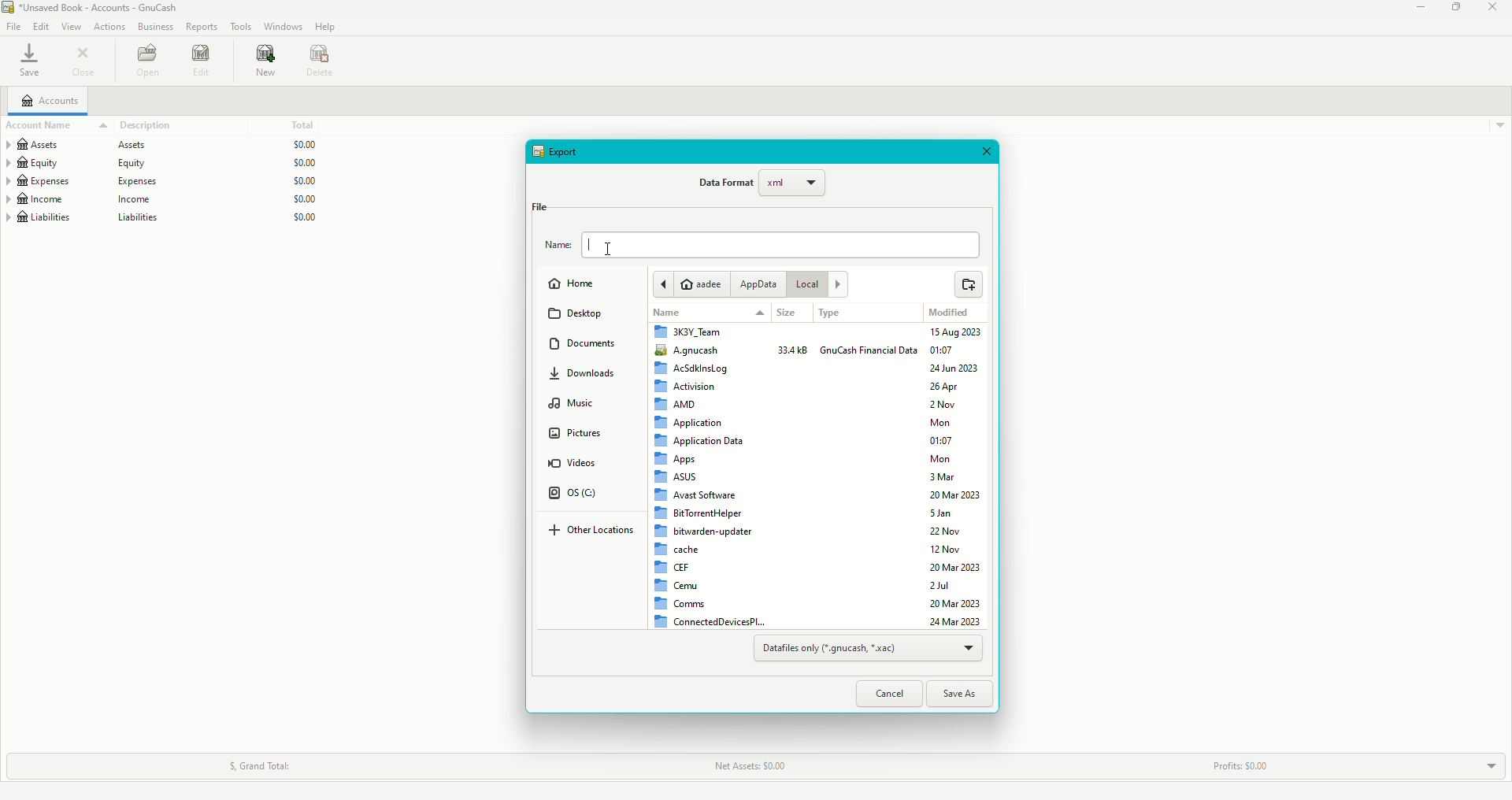 The width and height of the screenshot is (1512, 800). Describe the element at coordinates (40, 26) in the screenshot. I see `Edit` at that location.